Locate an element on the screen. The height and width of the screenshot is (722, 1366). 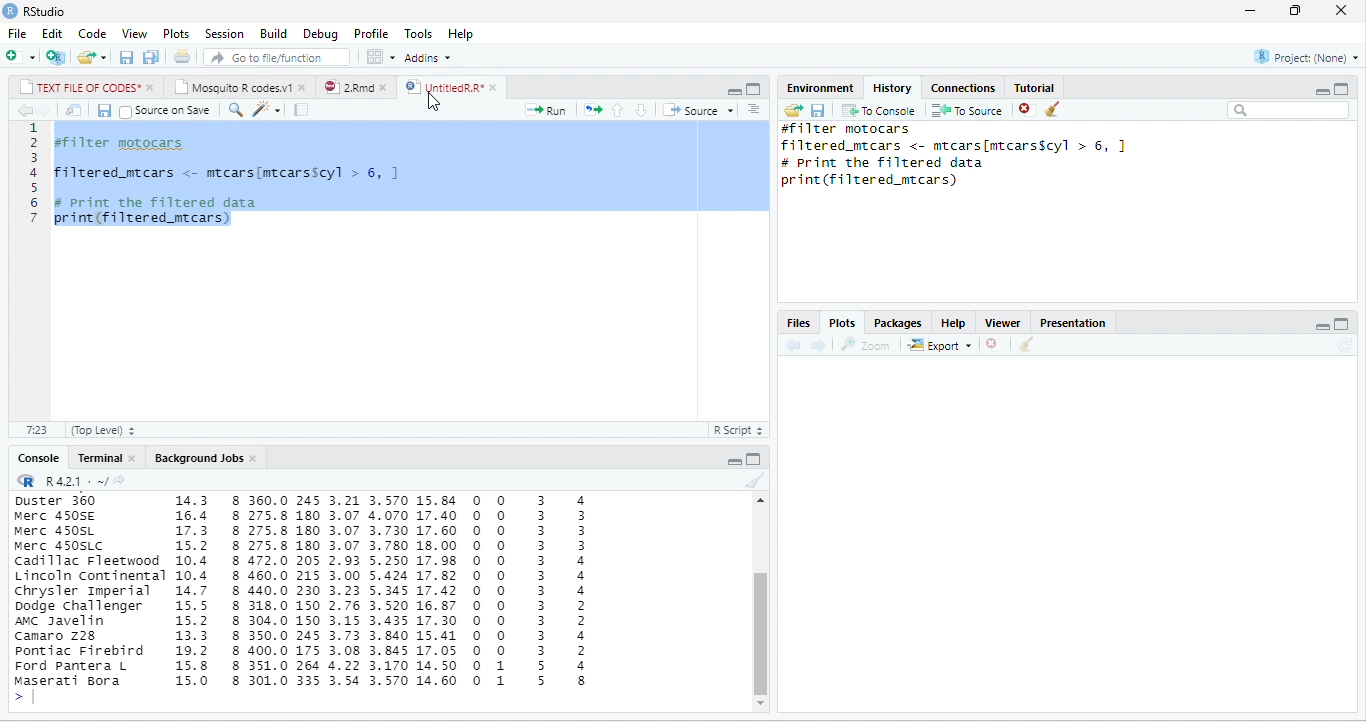
15.84 17.40  17.60  18.00  17.98  17.82  17.42  16.87  17.30  15.41  17.05  14.50  14.60 is located at coordinates (437, 590).